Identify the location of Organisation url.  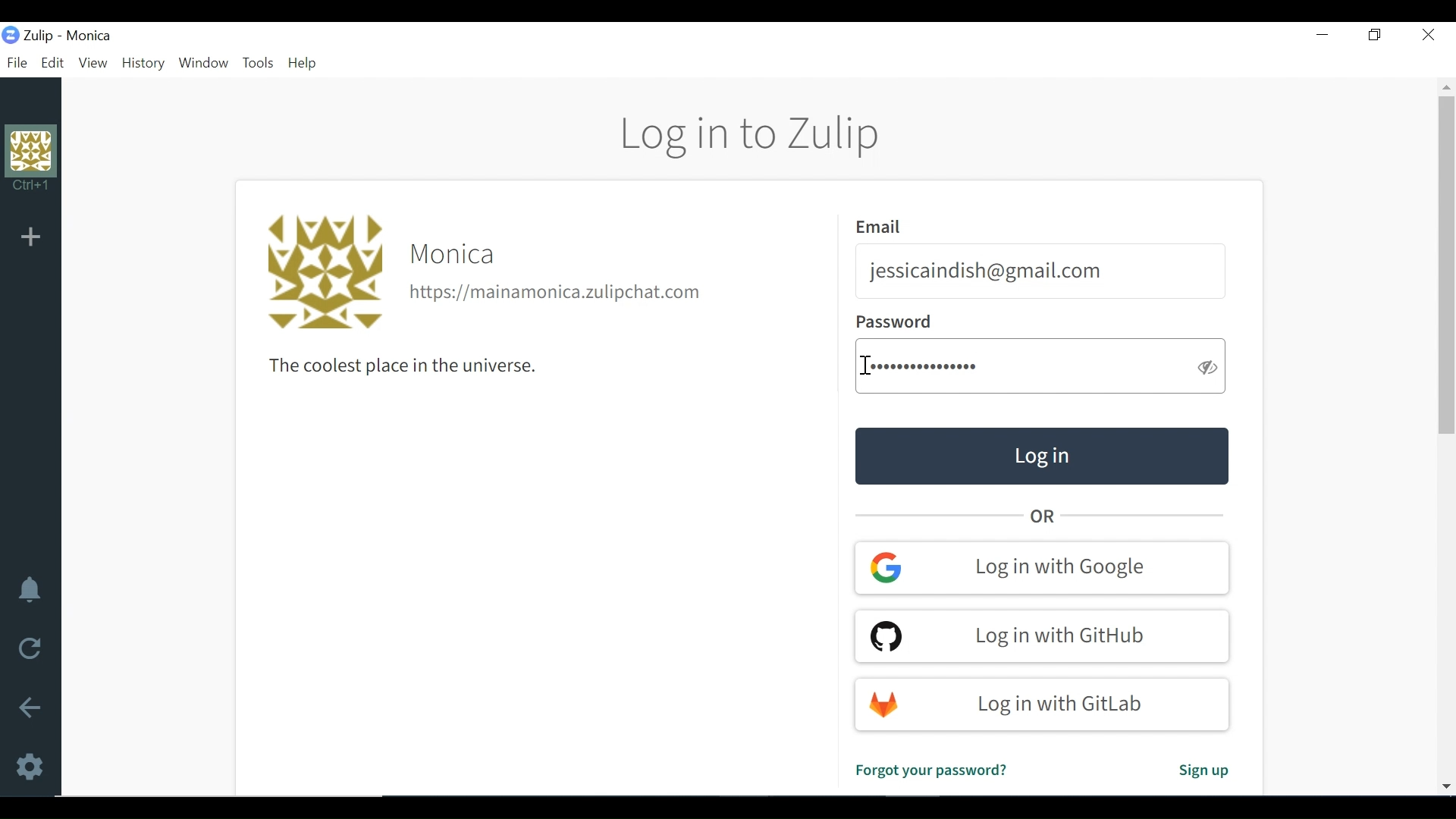
(557, 293).